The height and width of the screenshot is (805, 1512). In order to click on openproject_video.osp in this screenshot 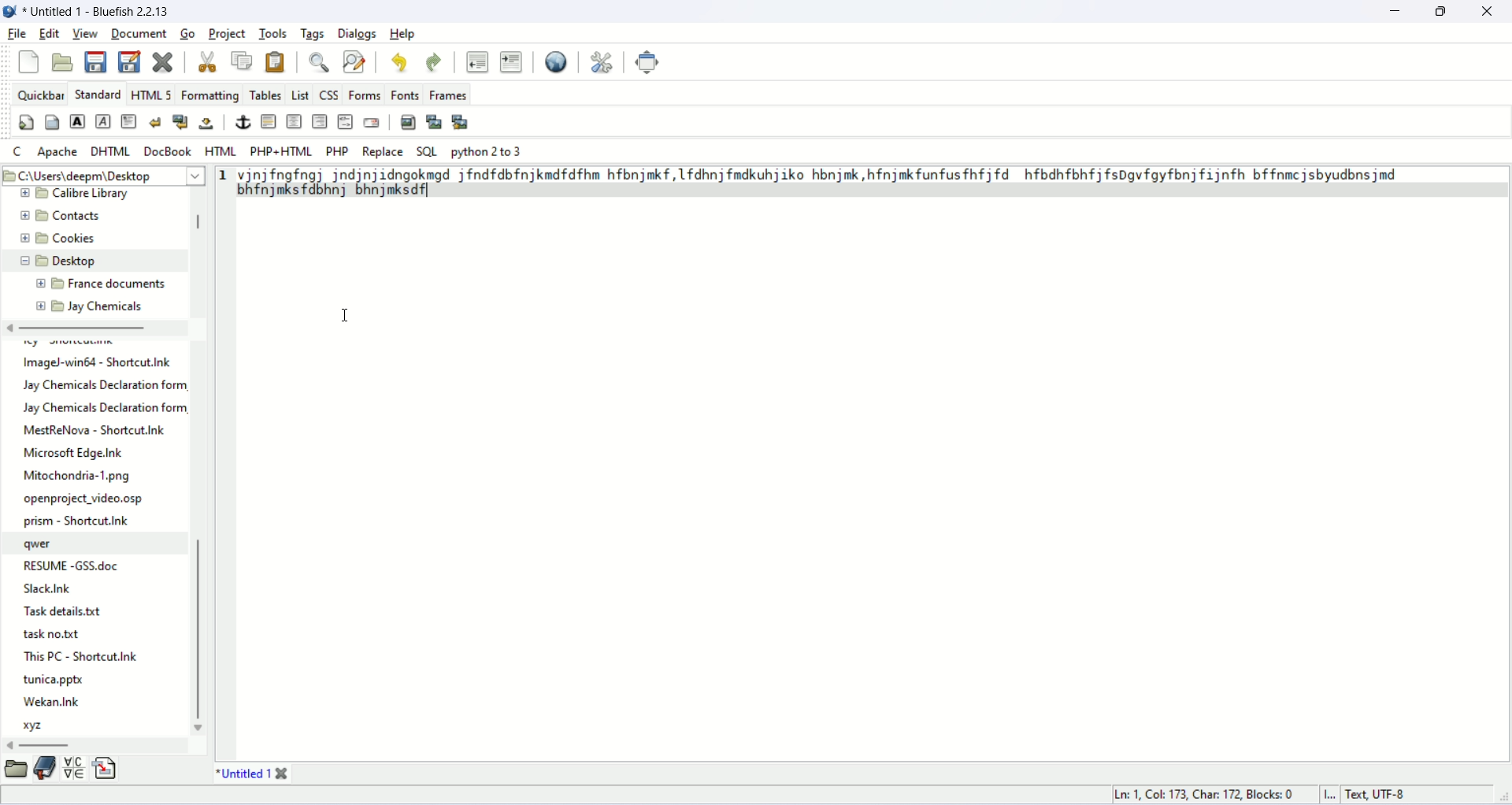, I will do `click(86, 499)`.